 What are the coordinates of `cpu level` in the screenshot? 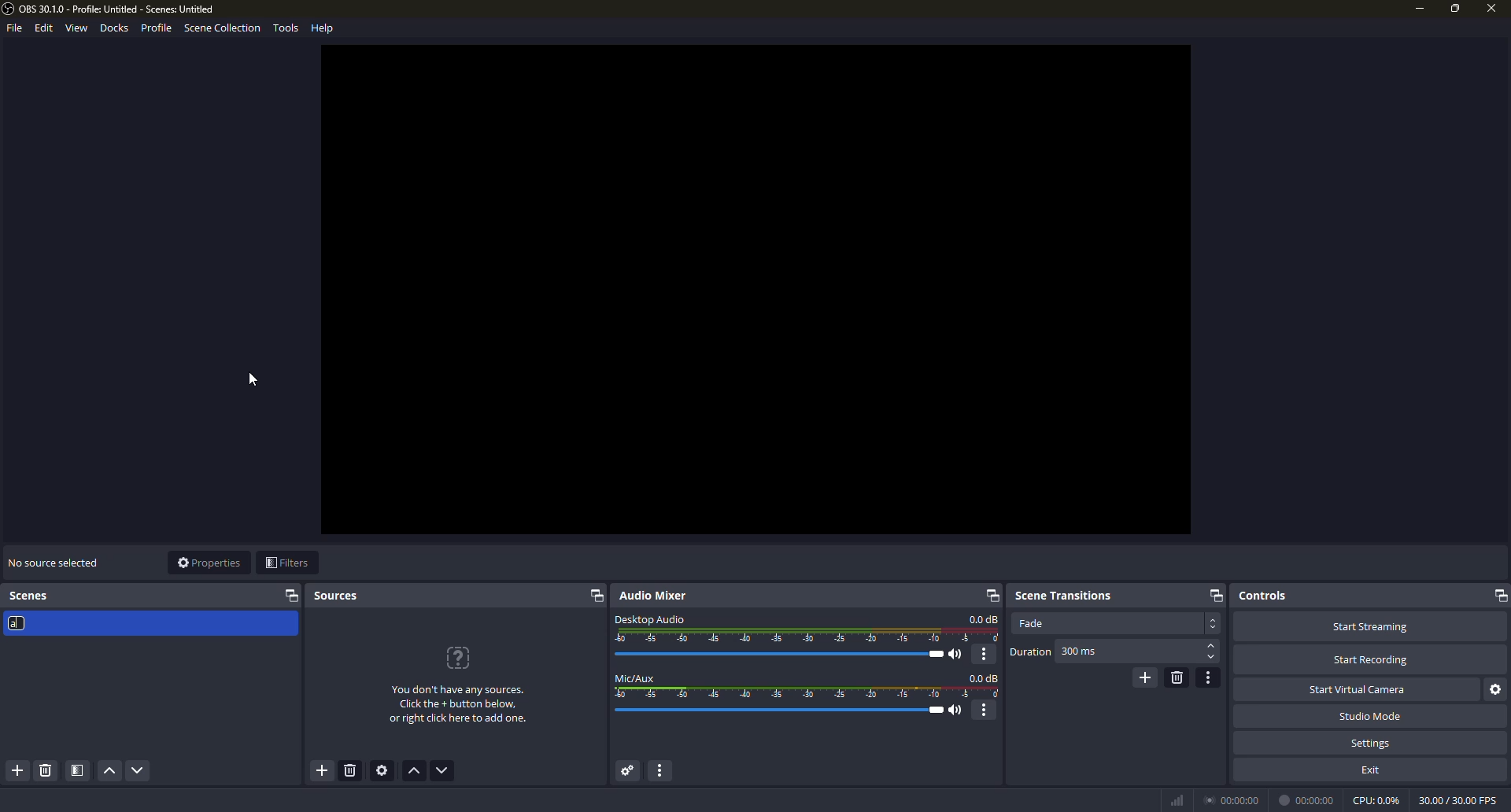 It's located at (1376, 799).